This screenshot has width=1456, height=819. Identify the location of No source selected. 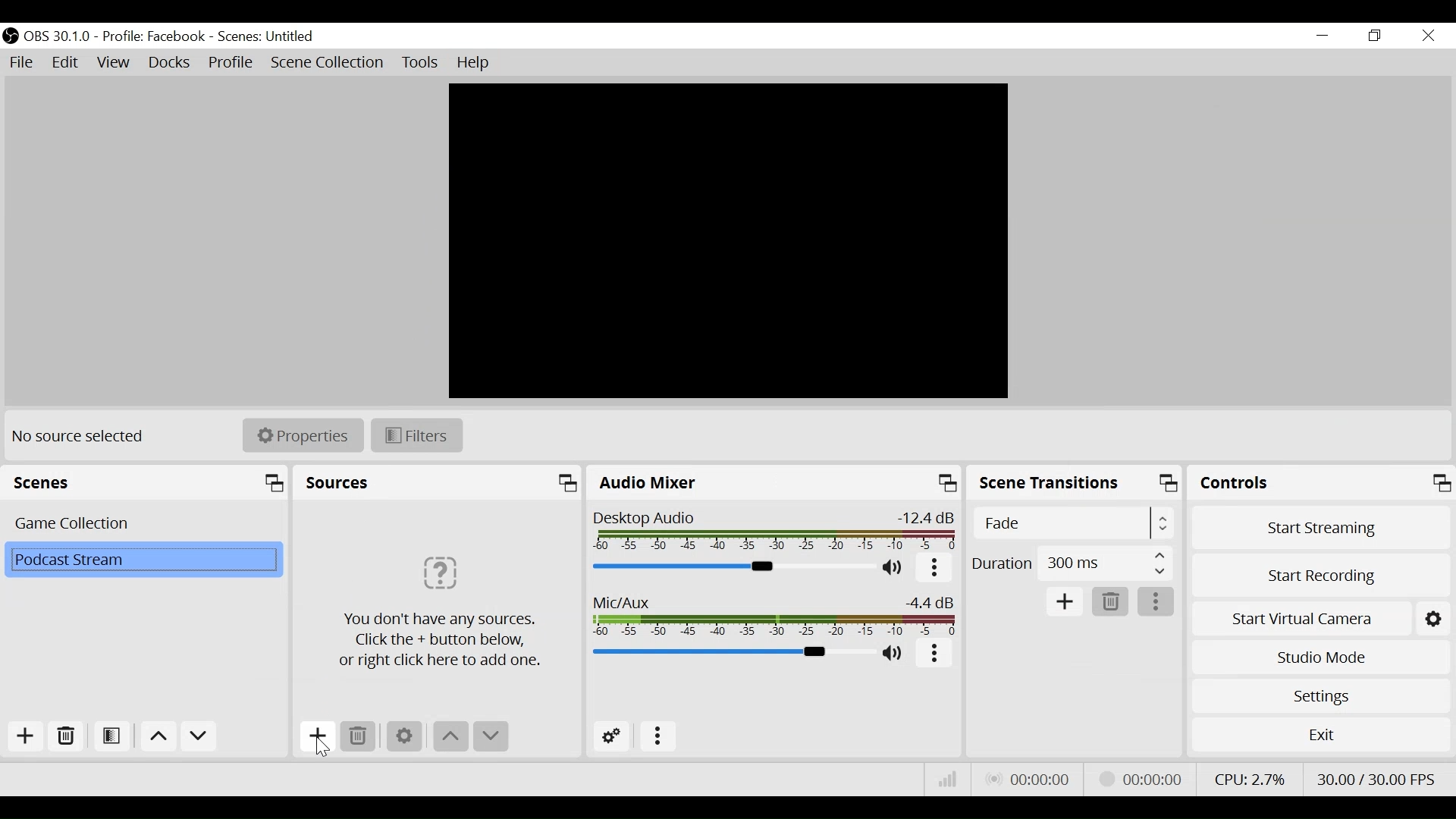
(88, 435).